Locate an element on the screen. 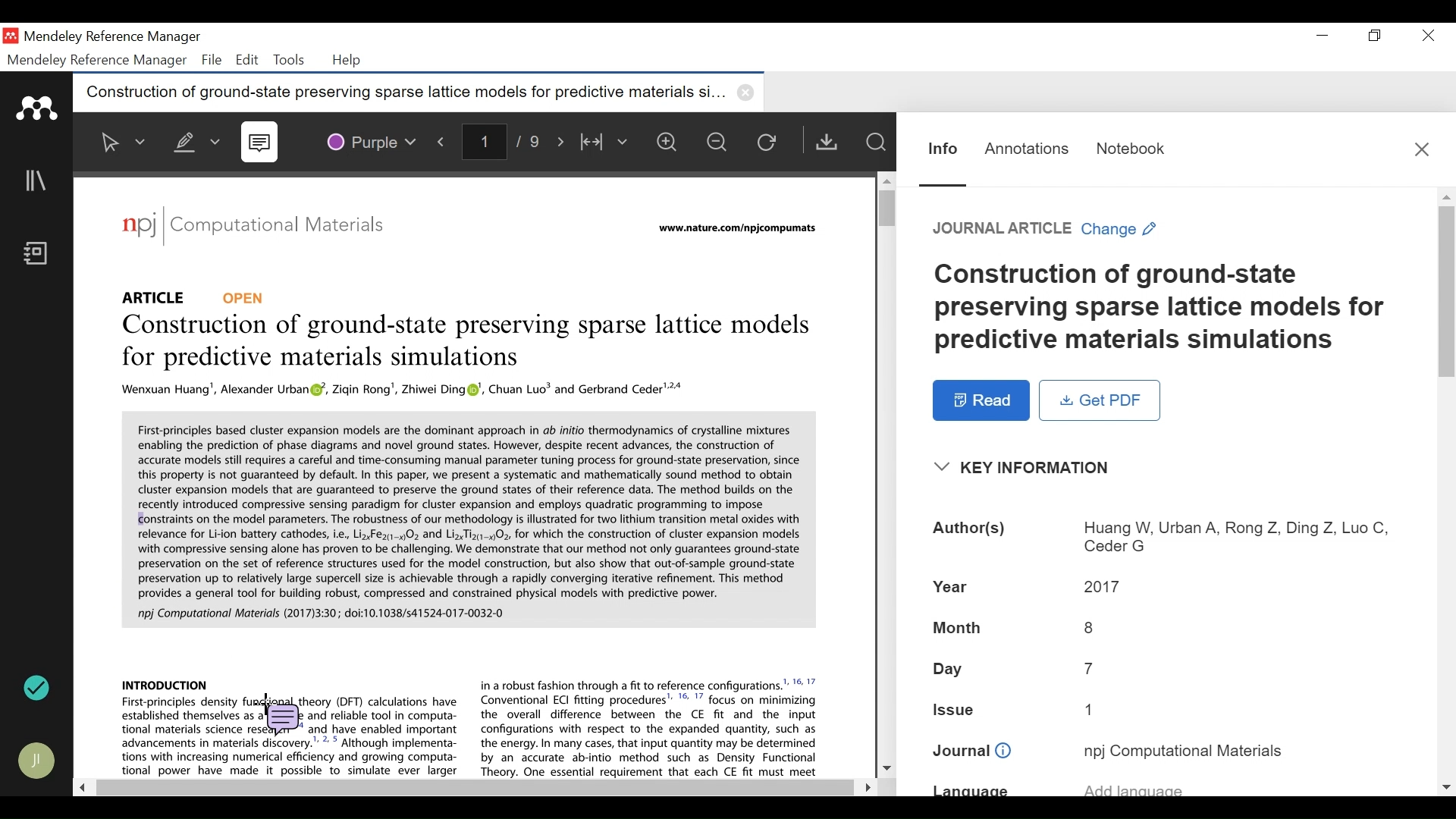 The width and height of the screenshot is (1456, 819). Previous Page is located at coordinates (444, 141).